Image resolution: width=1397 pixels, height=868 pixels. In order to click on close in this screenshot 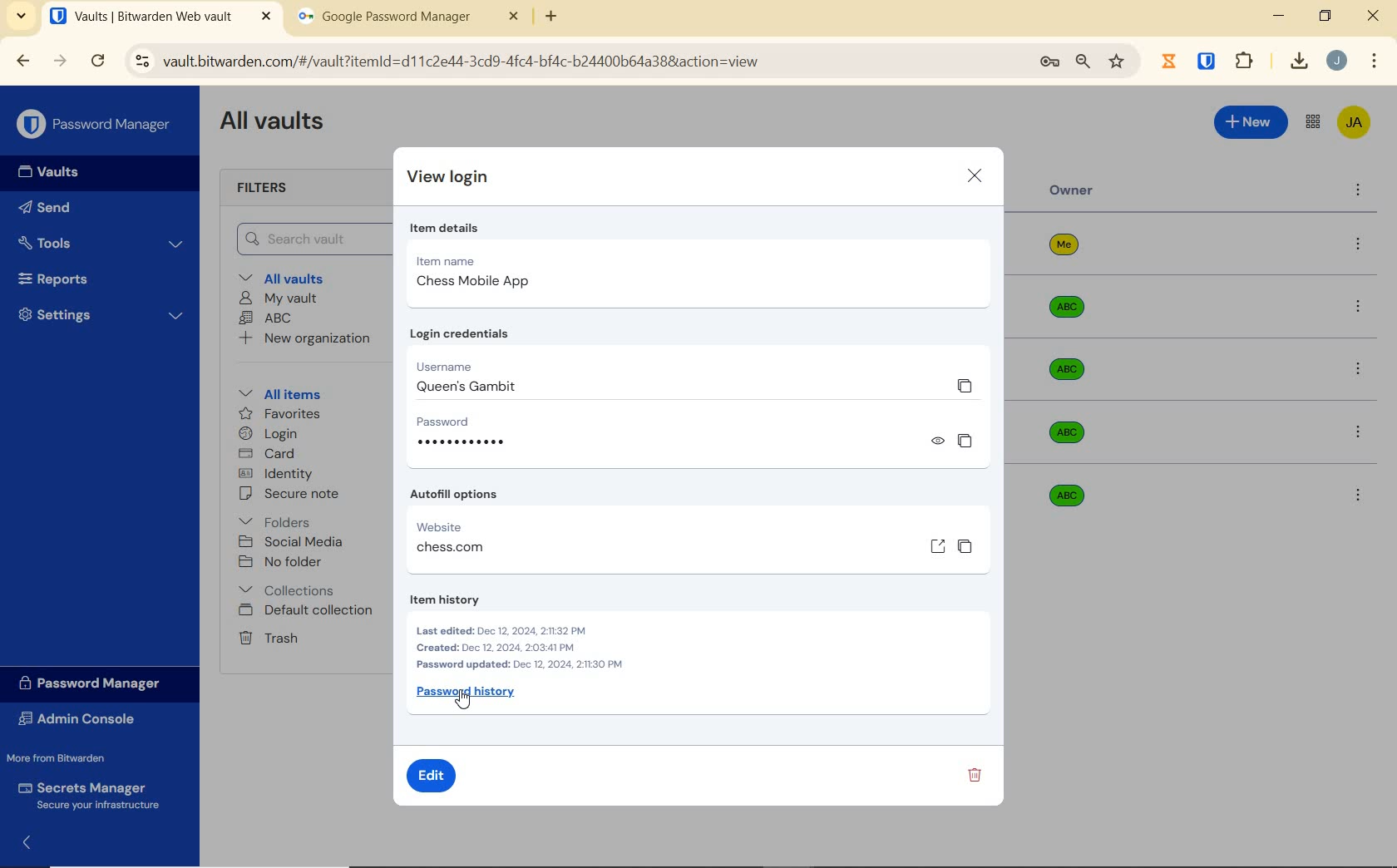, I will do `click(1375, 18)`.